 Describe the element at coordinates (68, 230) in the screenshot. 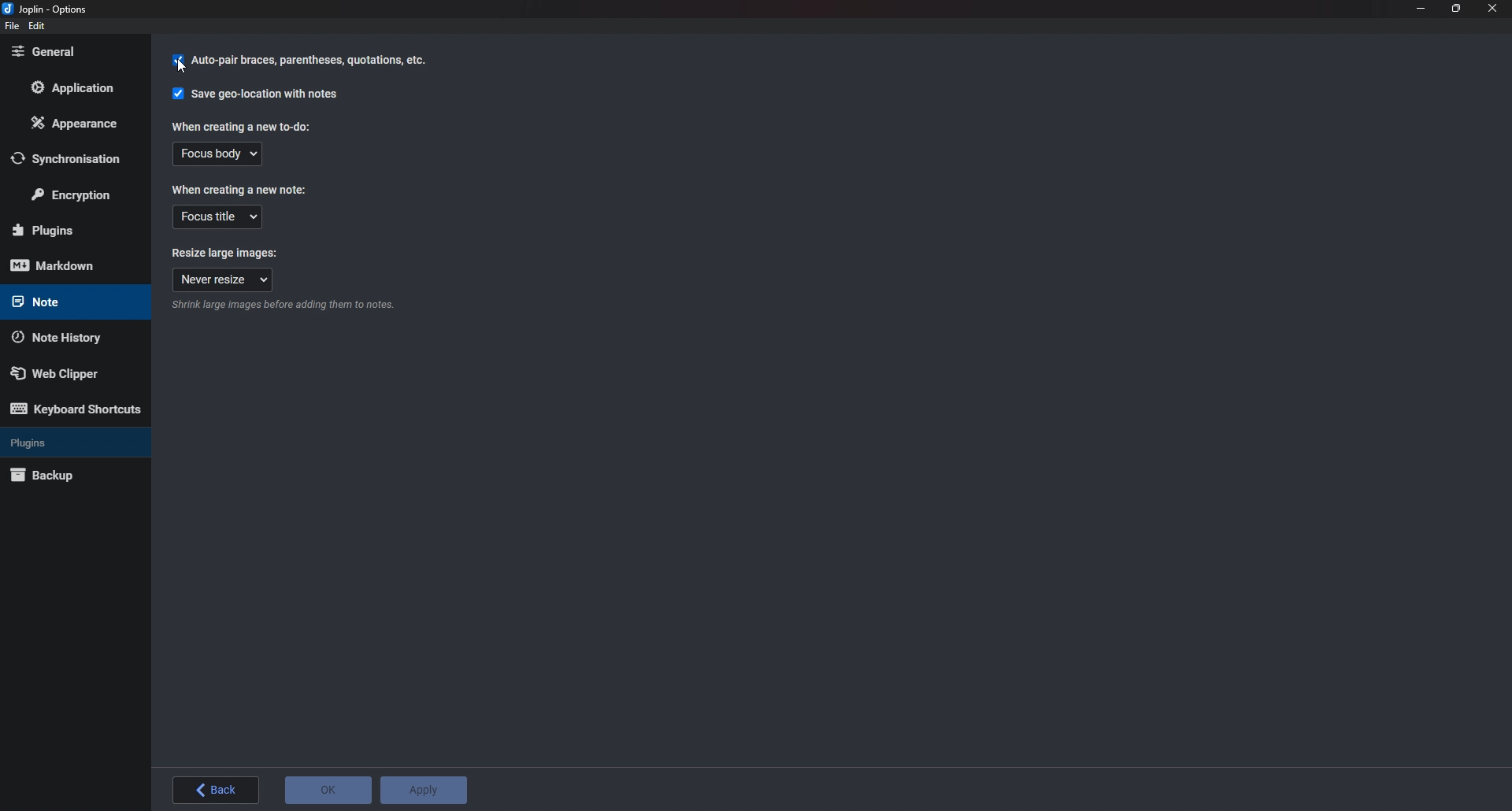

I see `Plugins` at that location.